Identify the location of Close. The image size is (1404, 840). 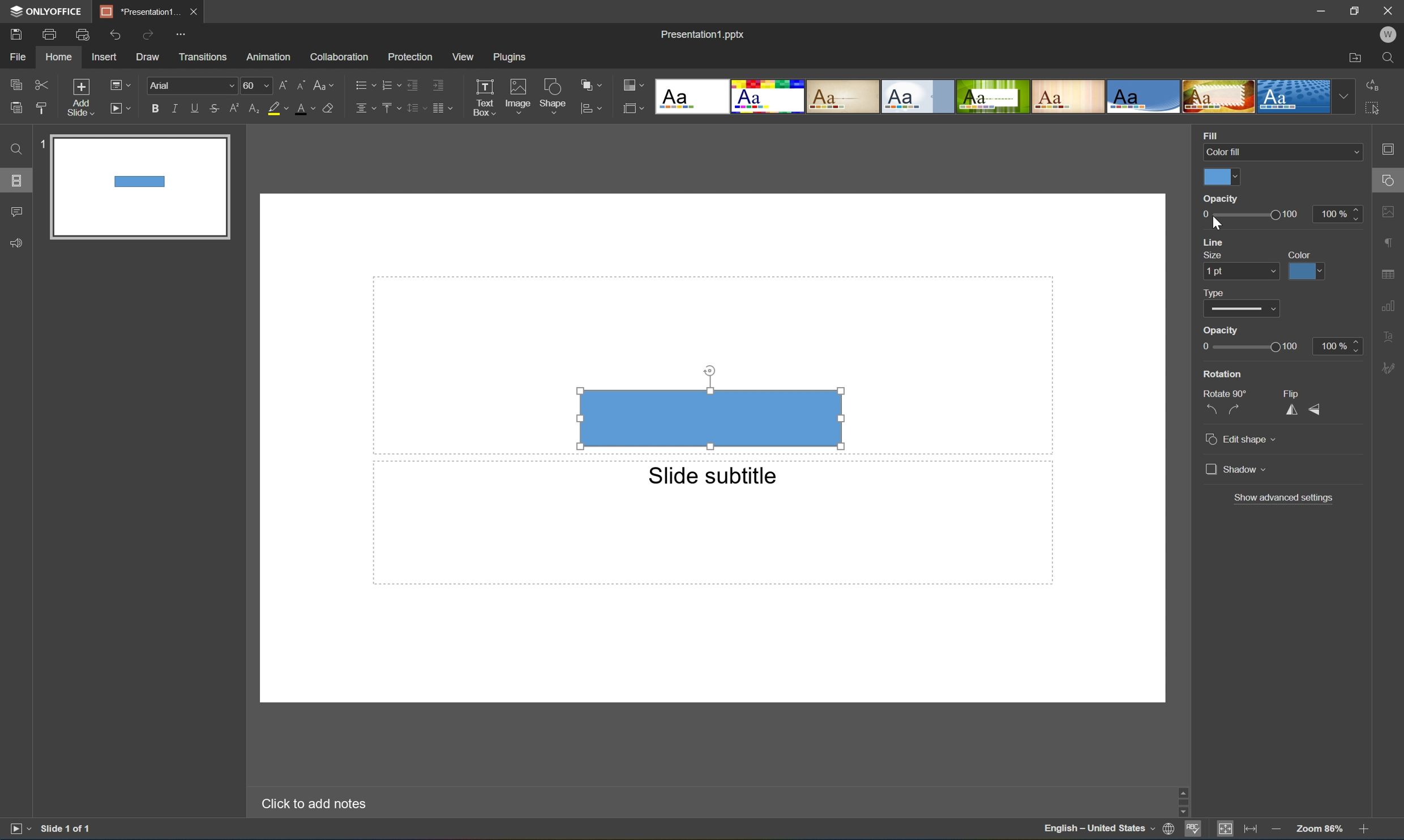
(194, 11).